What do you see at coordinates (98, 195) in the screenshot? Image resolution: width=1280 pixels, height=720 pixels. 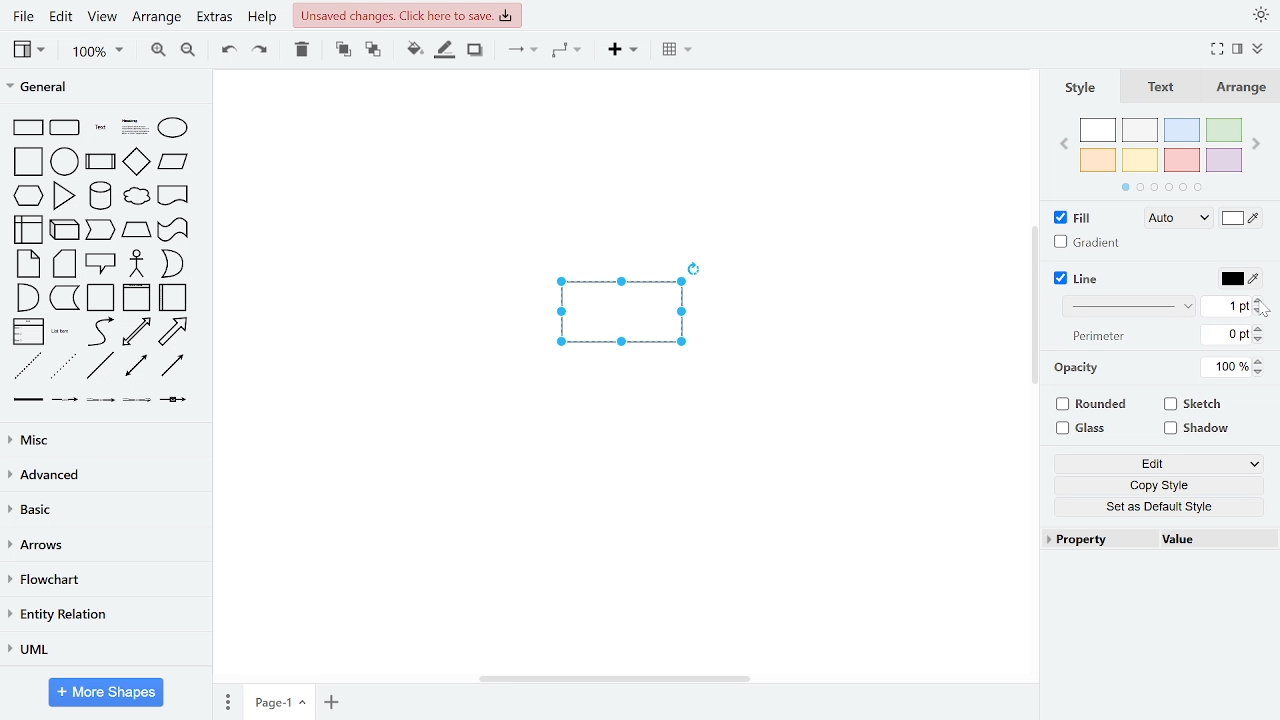 I see `general shapes` at bounding box center [98, 195].